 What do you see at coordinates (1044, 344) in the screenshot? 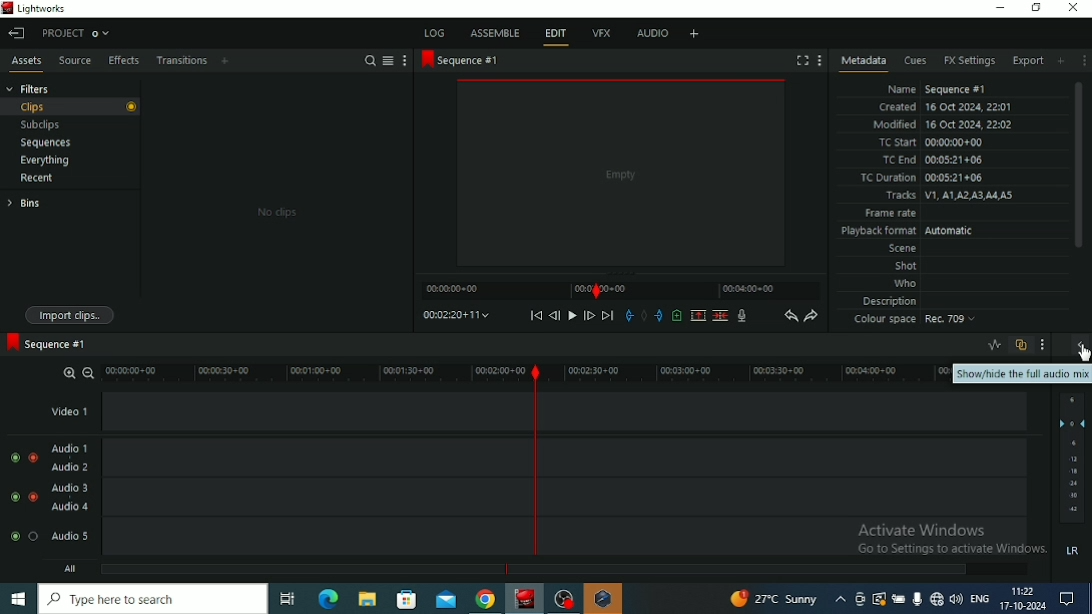
I see `Show settings menu` at bounding box center [1044, 344].